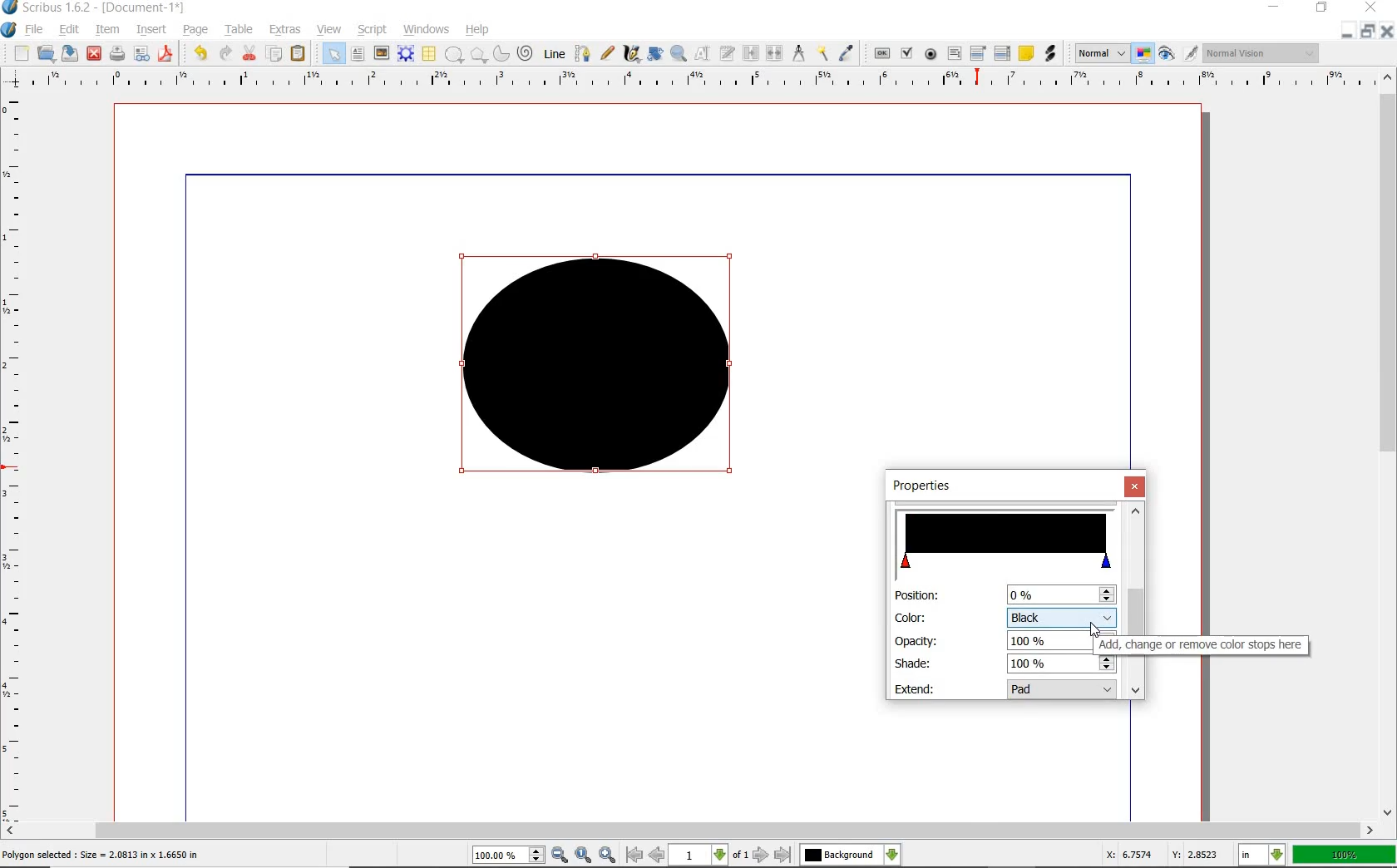 This screenshot has width=1397, height=868. Describe the element at coordinates (70, 53) in the screenshot. I see `SAVE` at that location.